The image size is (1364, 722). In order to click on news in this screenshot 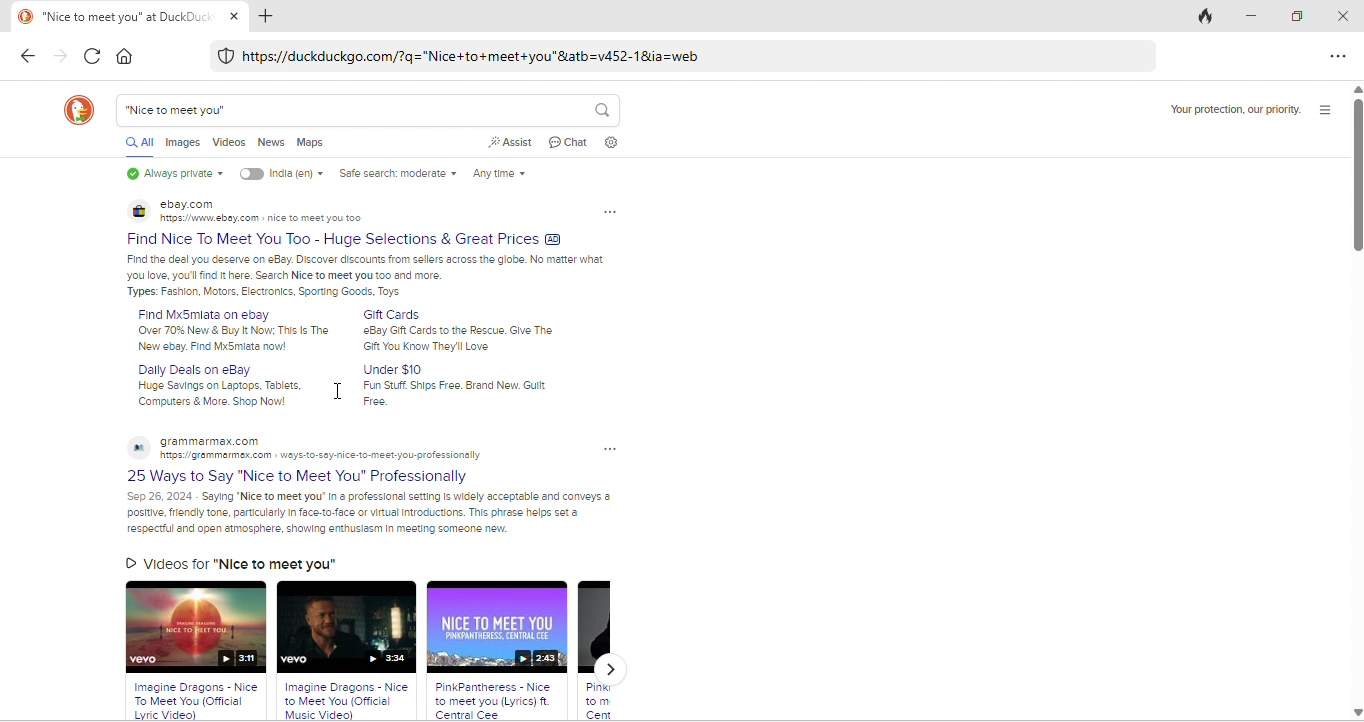, I will do `click(271, 143)`.